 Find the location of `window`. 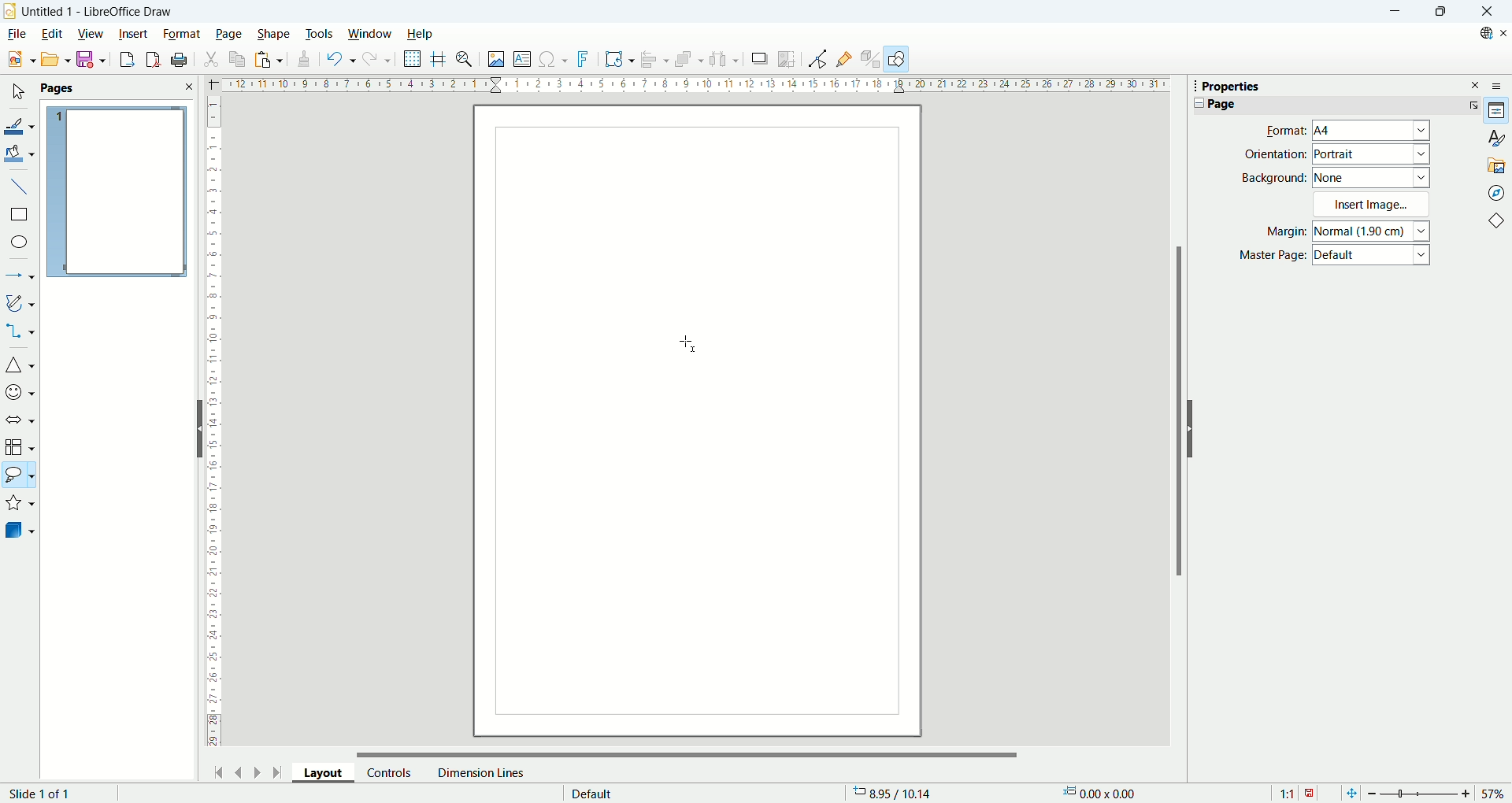

window is located at coordinates (370, 35).